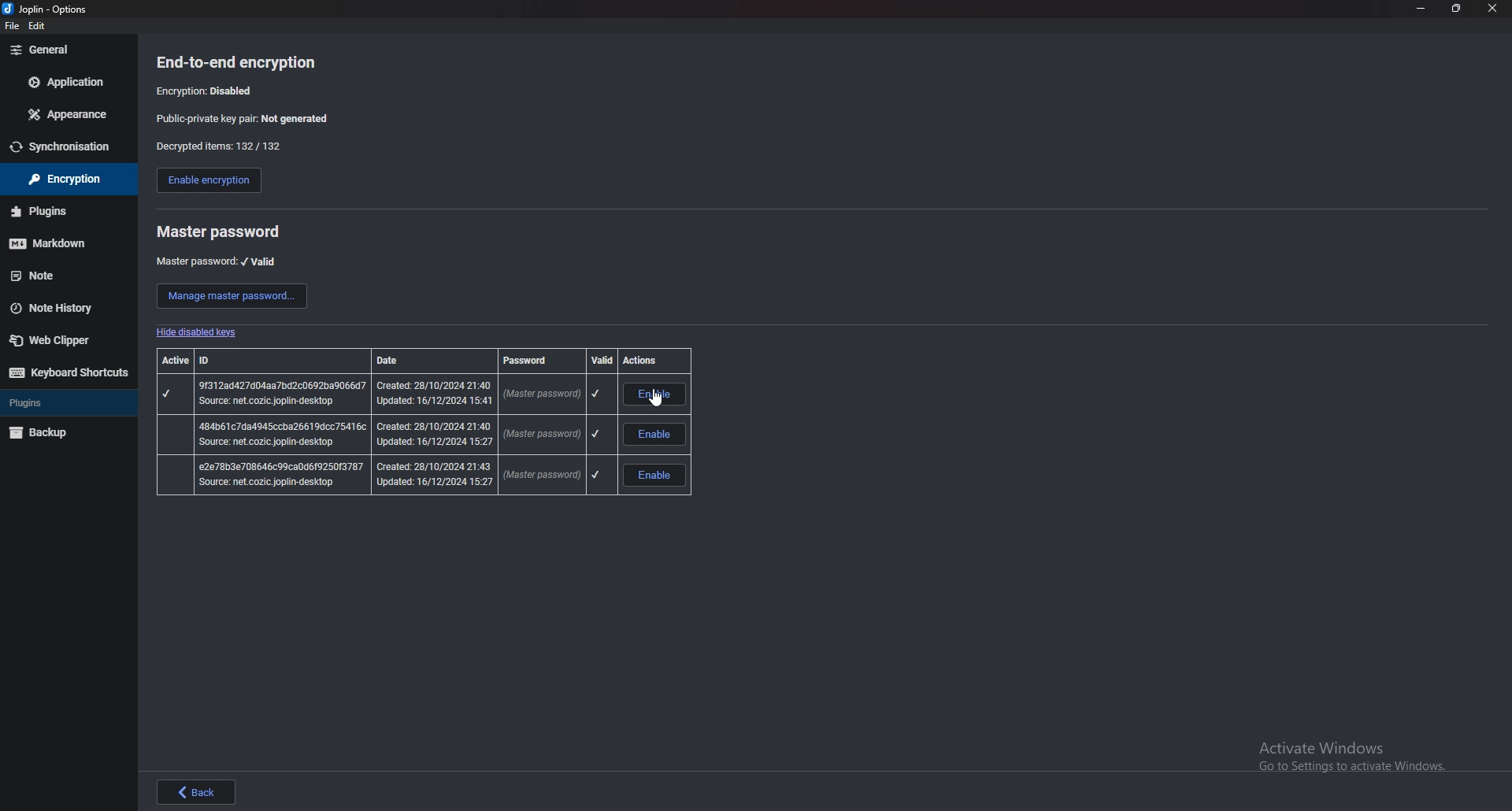 The width and height of the screenshot is (1512, 811). What do you see at coordinates (64, 83) in the screenshot?
I see `application` at bounding box center [64, 83].